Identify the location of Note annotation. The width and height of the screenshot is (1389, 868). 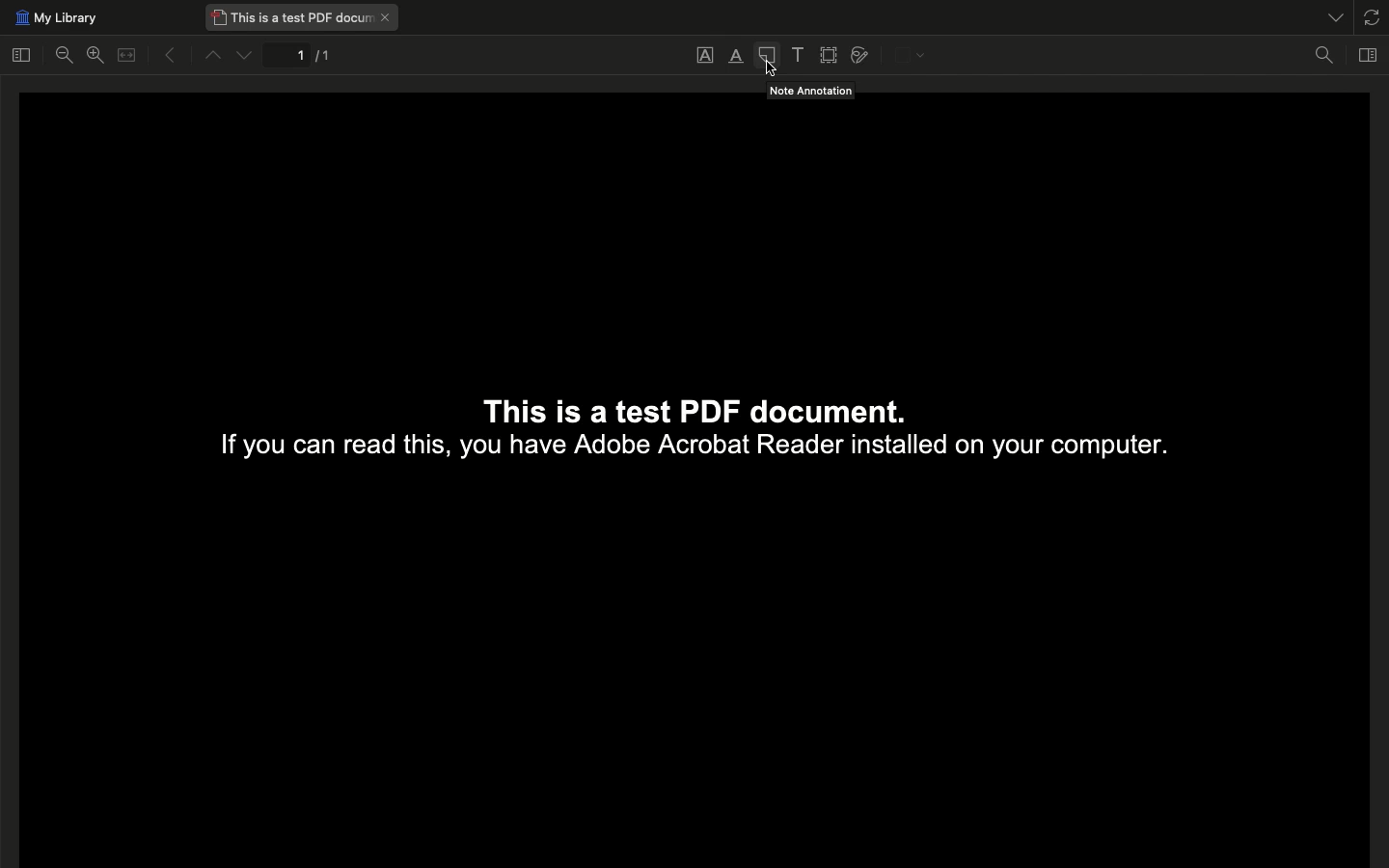
(766, 58).